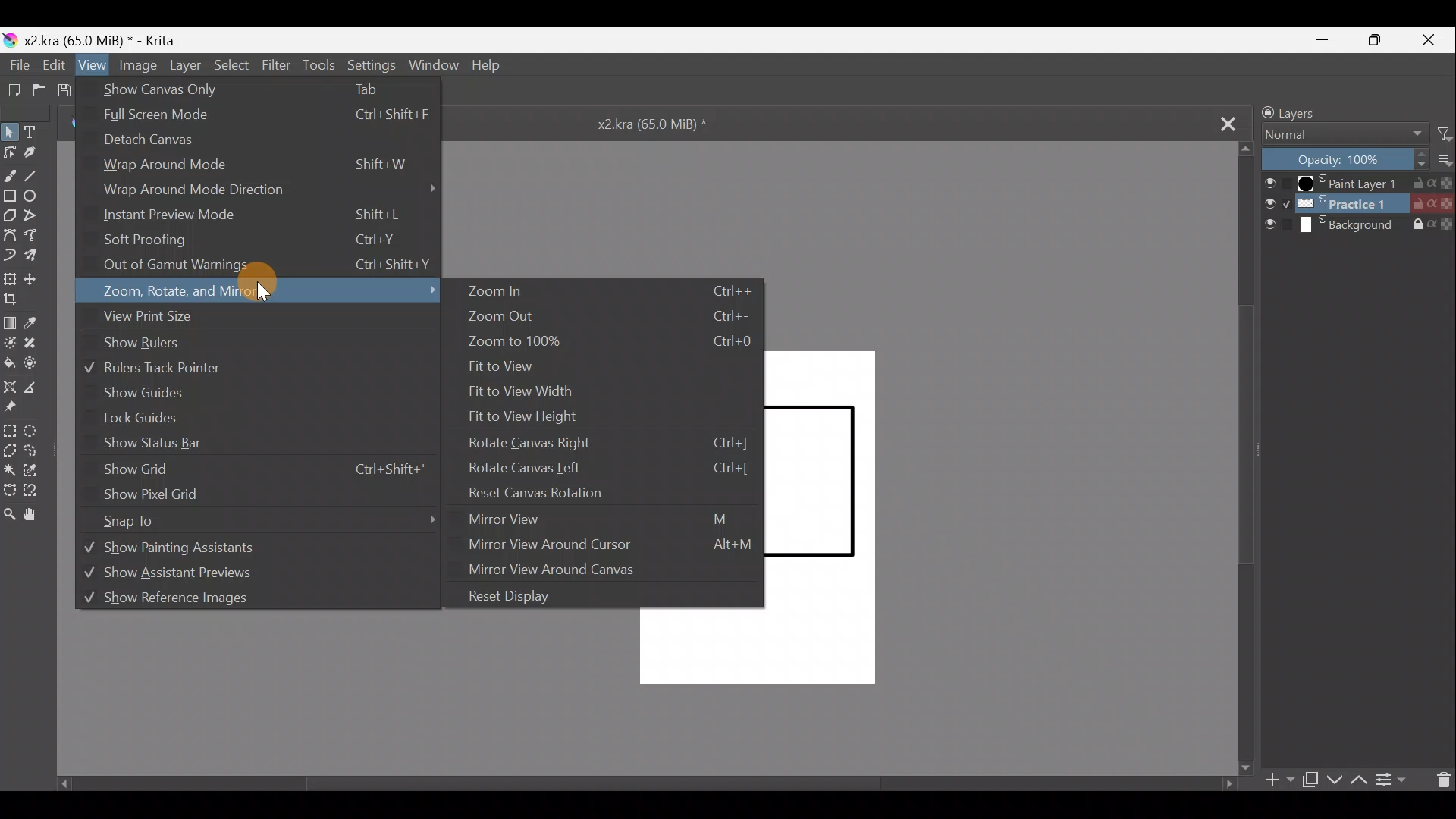  What do you see at coordinates (13, 343) in the screenshot?
I see `Colourise mask tool` at bounding box center [13, 343].